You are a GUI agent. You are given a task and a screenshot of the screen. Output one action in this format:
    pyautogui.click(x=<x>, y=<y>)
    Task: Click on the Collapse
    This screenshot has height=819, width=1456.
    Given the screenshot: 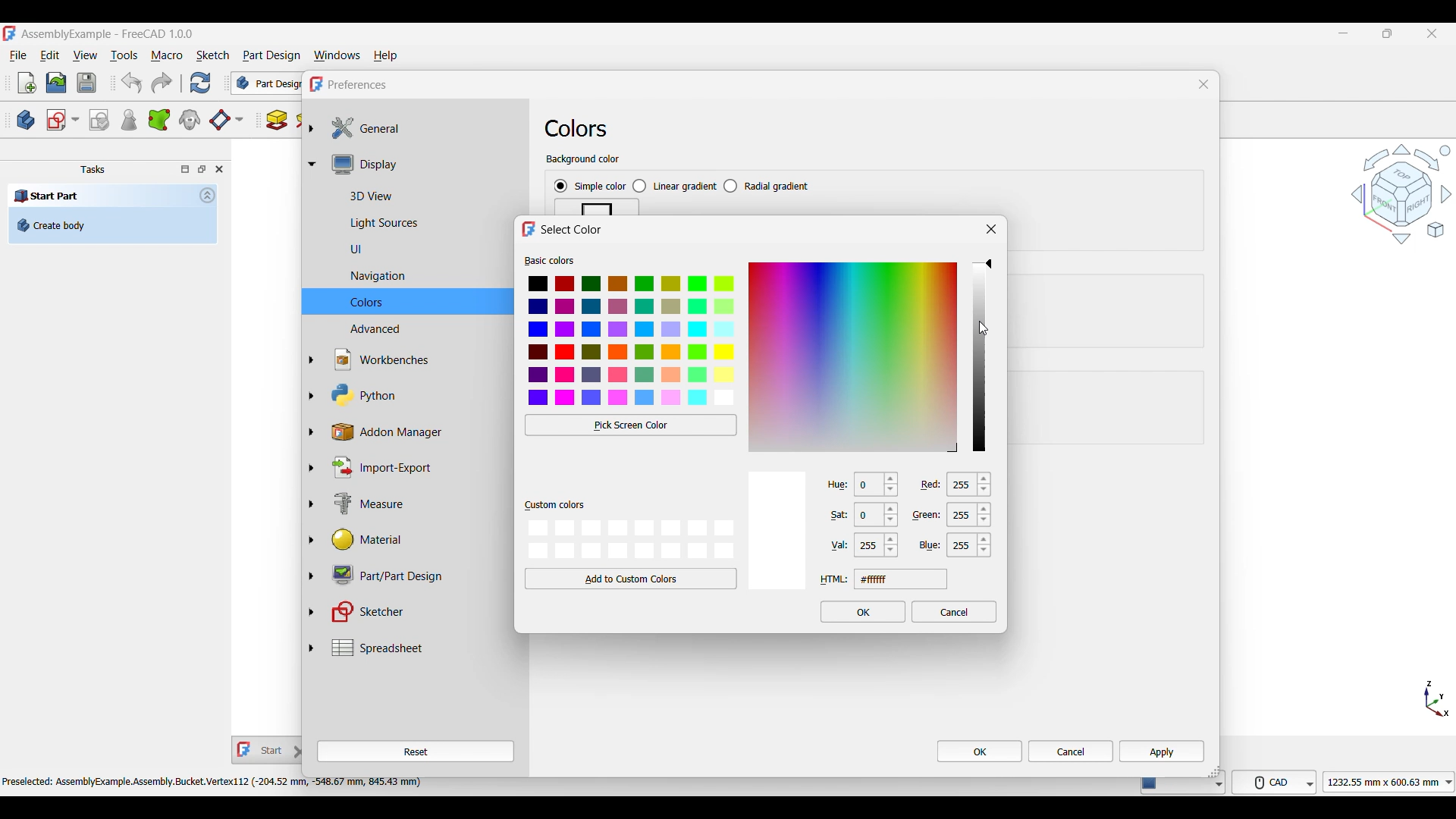 What is the action you would take?
    pyautogui.click(x=208, y=195)
    